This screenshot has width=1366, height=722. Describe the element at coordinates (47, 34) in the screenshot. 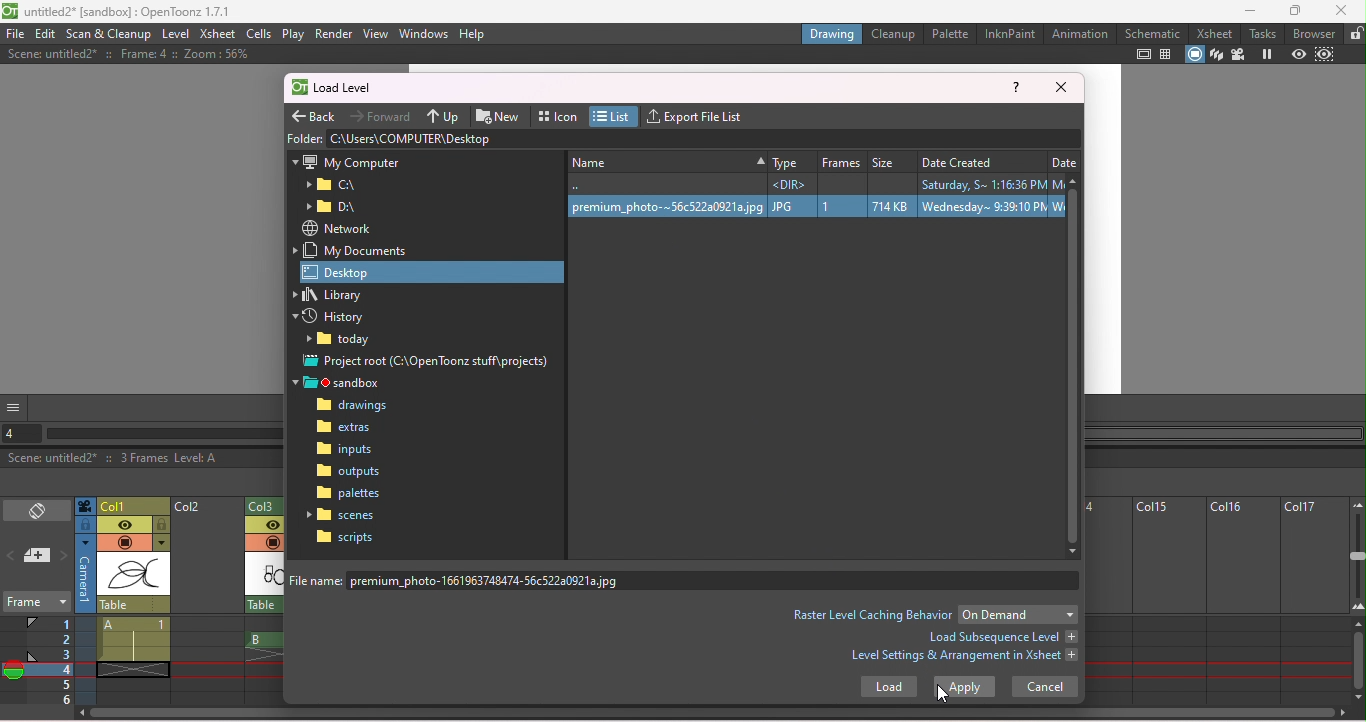

I see `Edit` at that location.